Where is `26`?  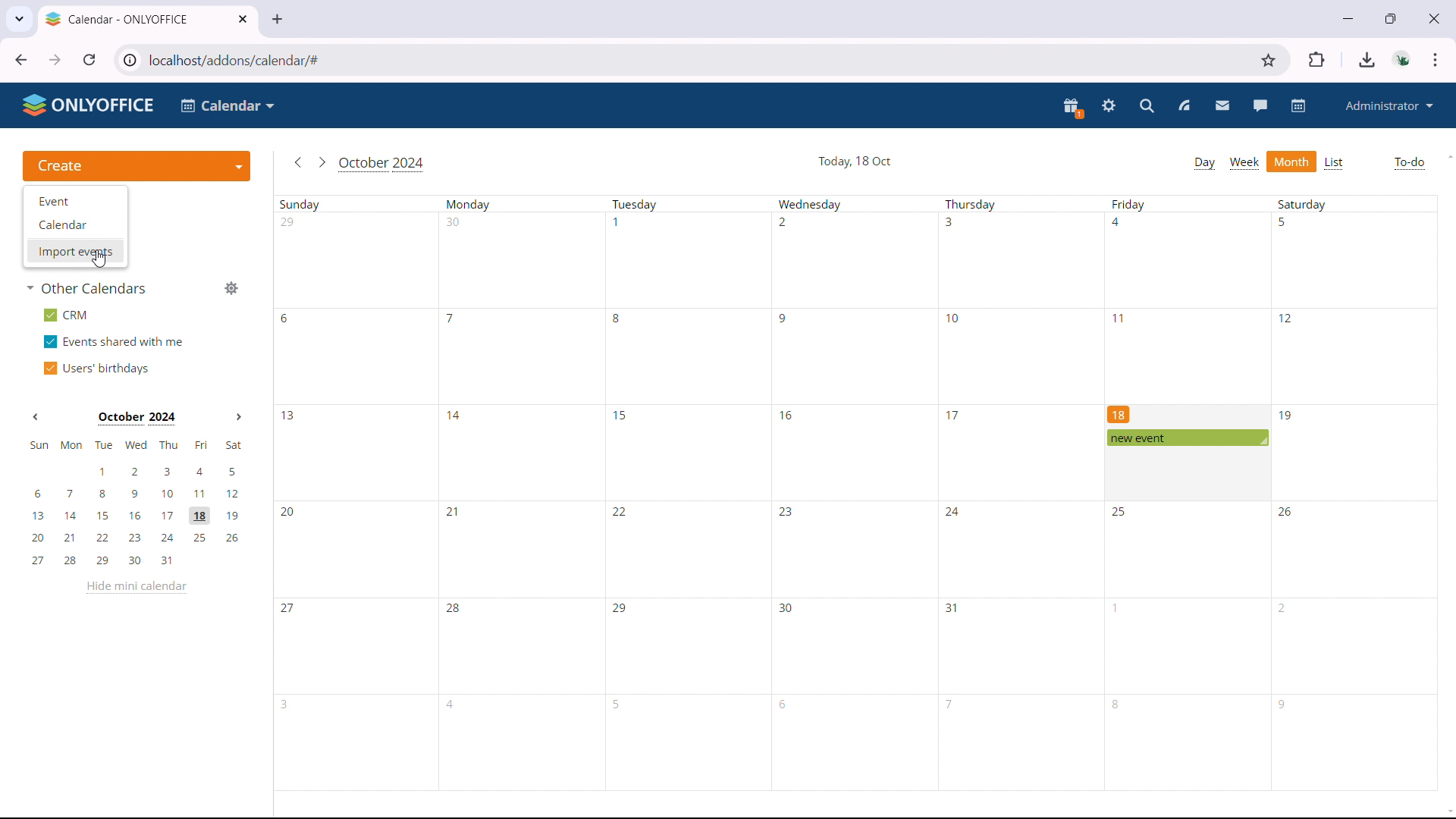
26 is located at coordinates (1287, 510).